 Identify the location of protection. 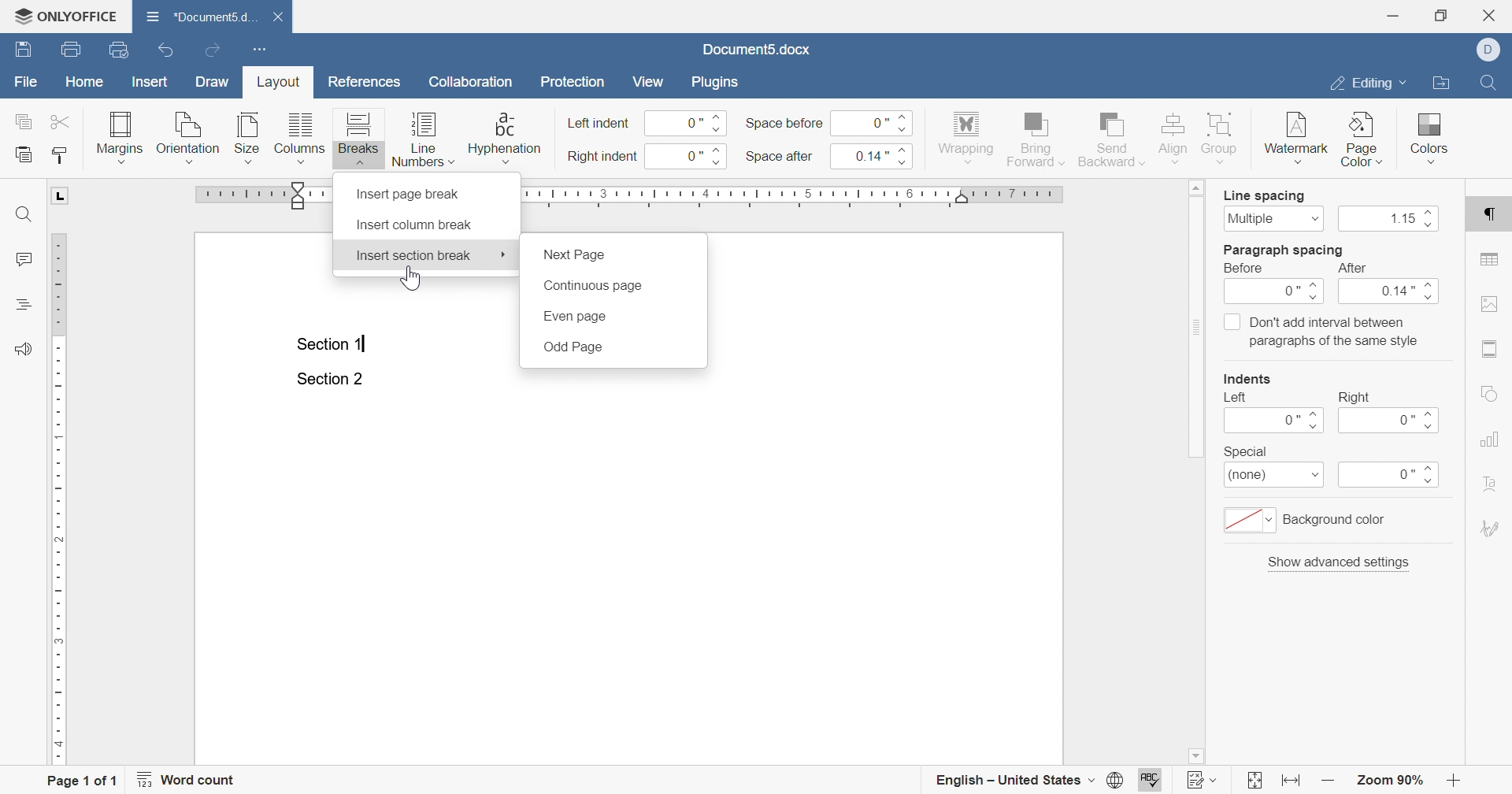
(574, 82).